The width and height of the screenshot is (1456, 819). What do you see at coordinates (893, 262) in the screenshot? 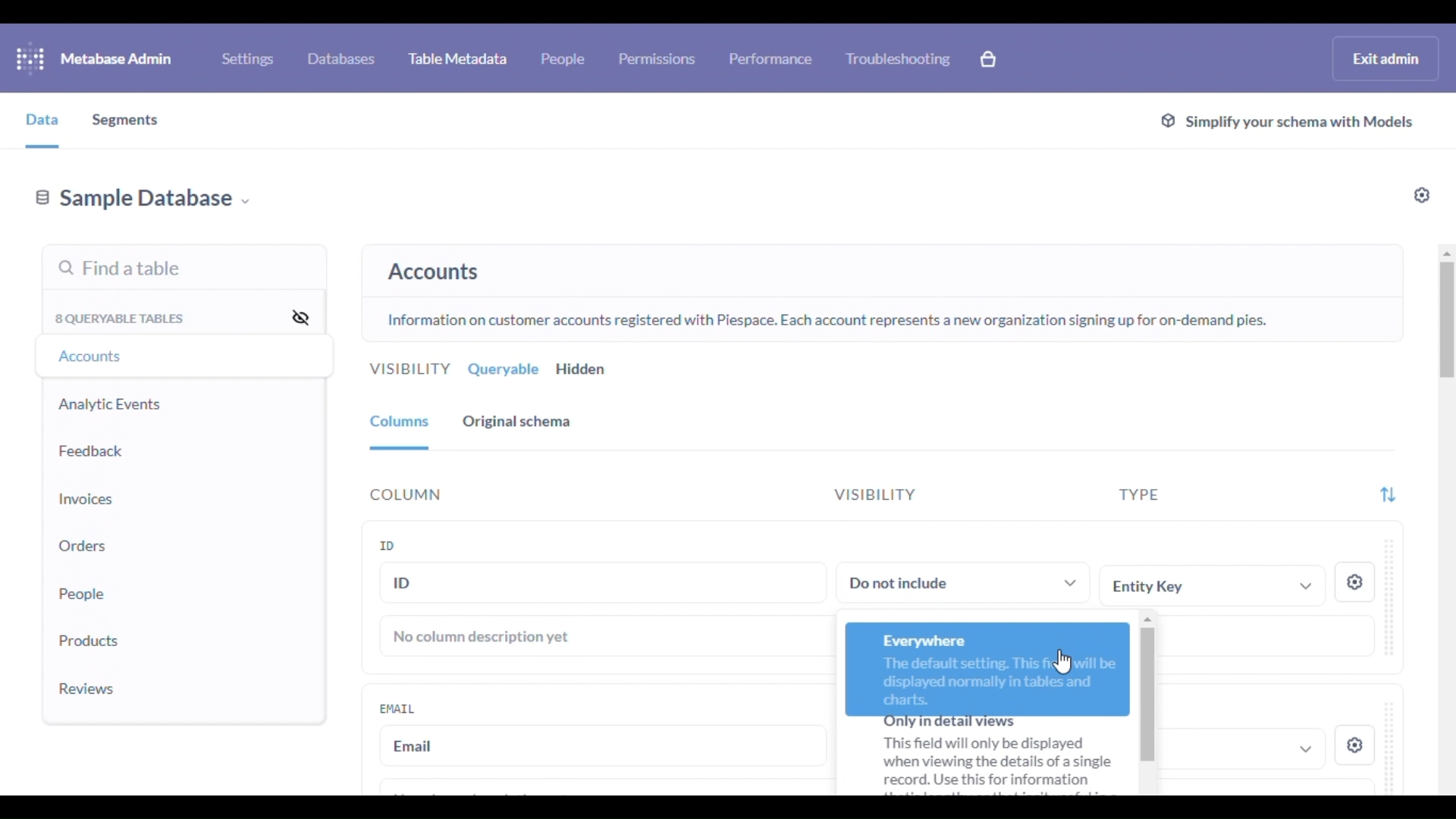
I see `select any table to see its schema and add or edit metadata.` at bounding box center [893, 262].